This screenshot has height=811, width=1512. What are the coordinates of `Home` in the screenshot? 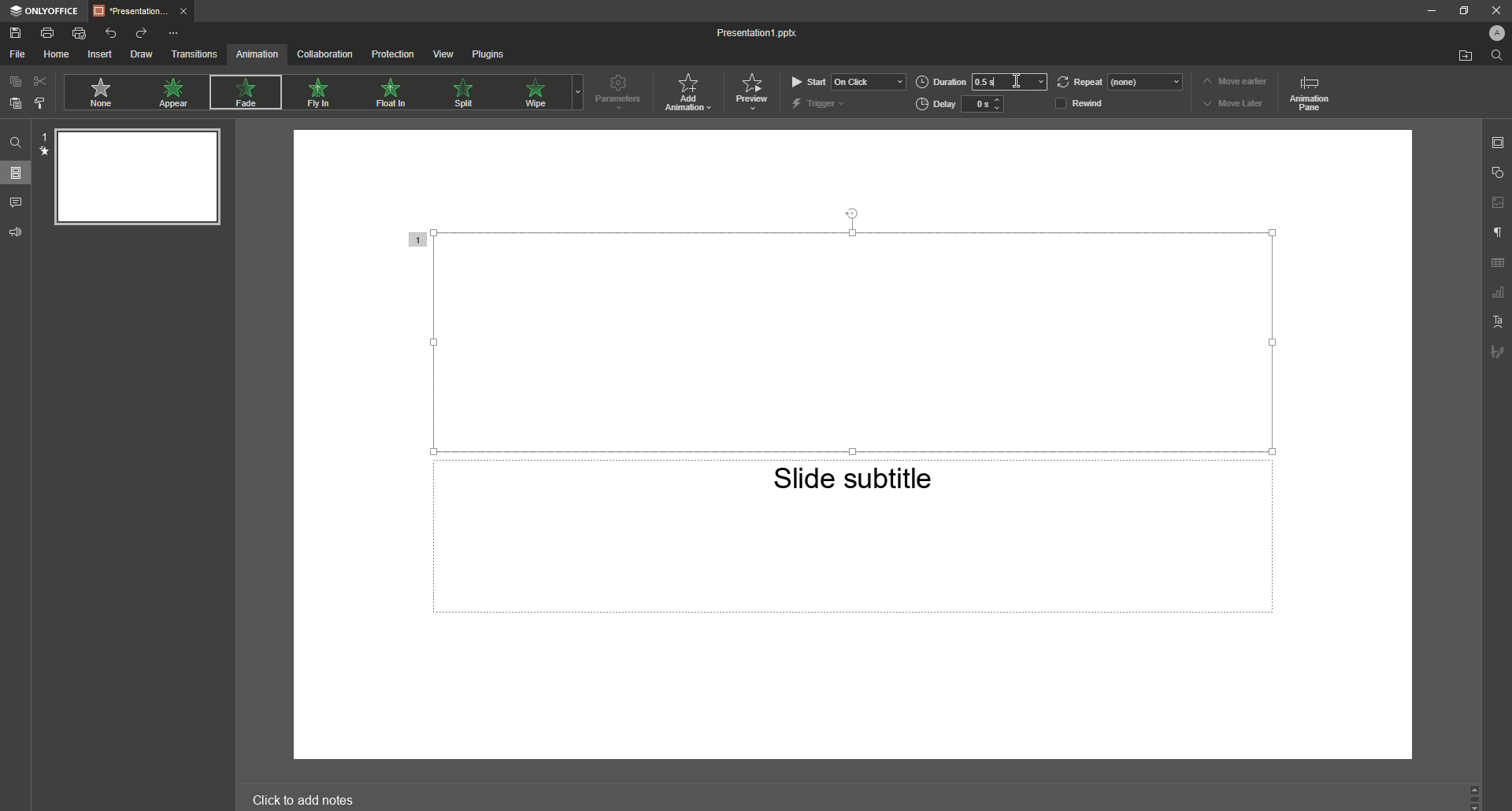 It's located at (57, 55).